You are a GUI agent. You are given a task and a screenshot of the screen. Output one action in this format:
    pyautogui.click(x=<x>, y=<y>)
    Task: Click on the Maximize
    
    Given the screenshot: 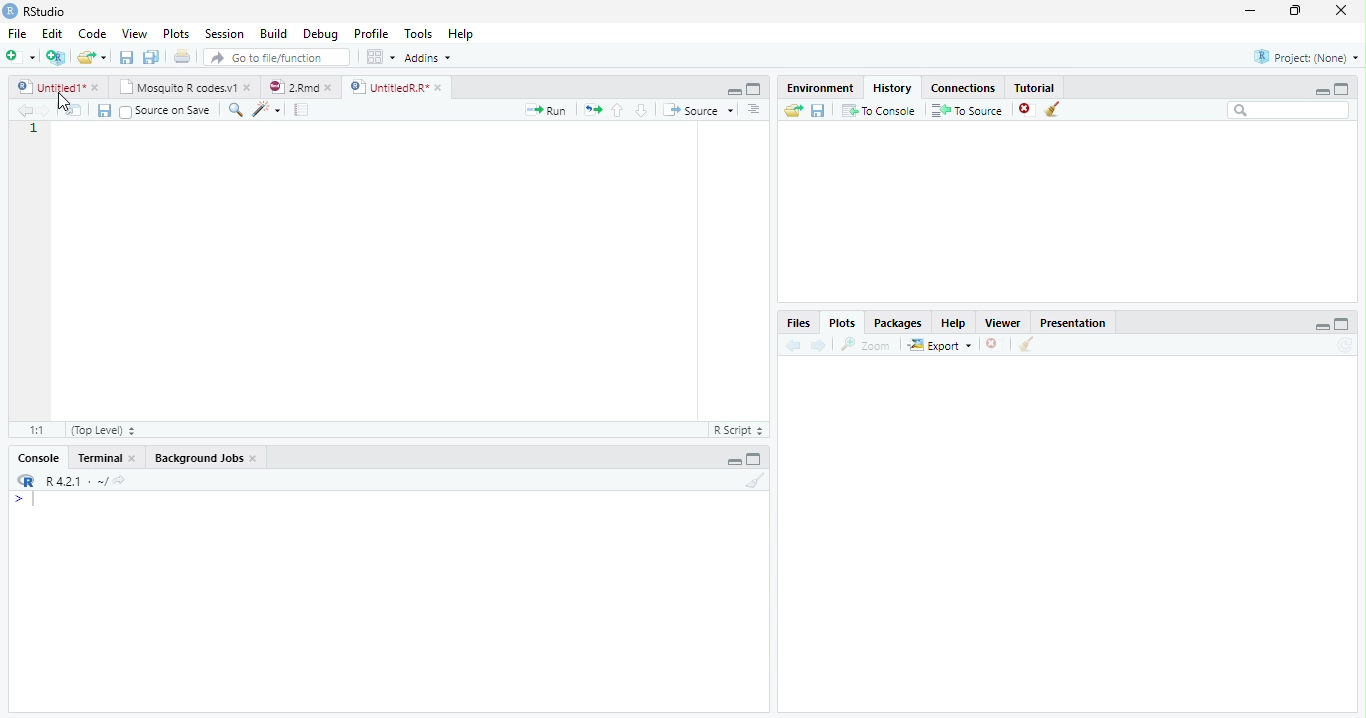 What is the action you would take?
    pyautogui.click(x=1342, y=89)
    